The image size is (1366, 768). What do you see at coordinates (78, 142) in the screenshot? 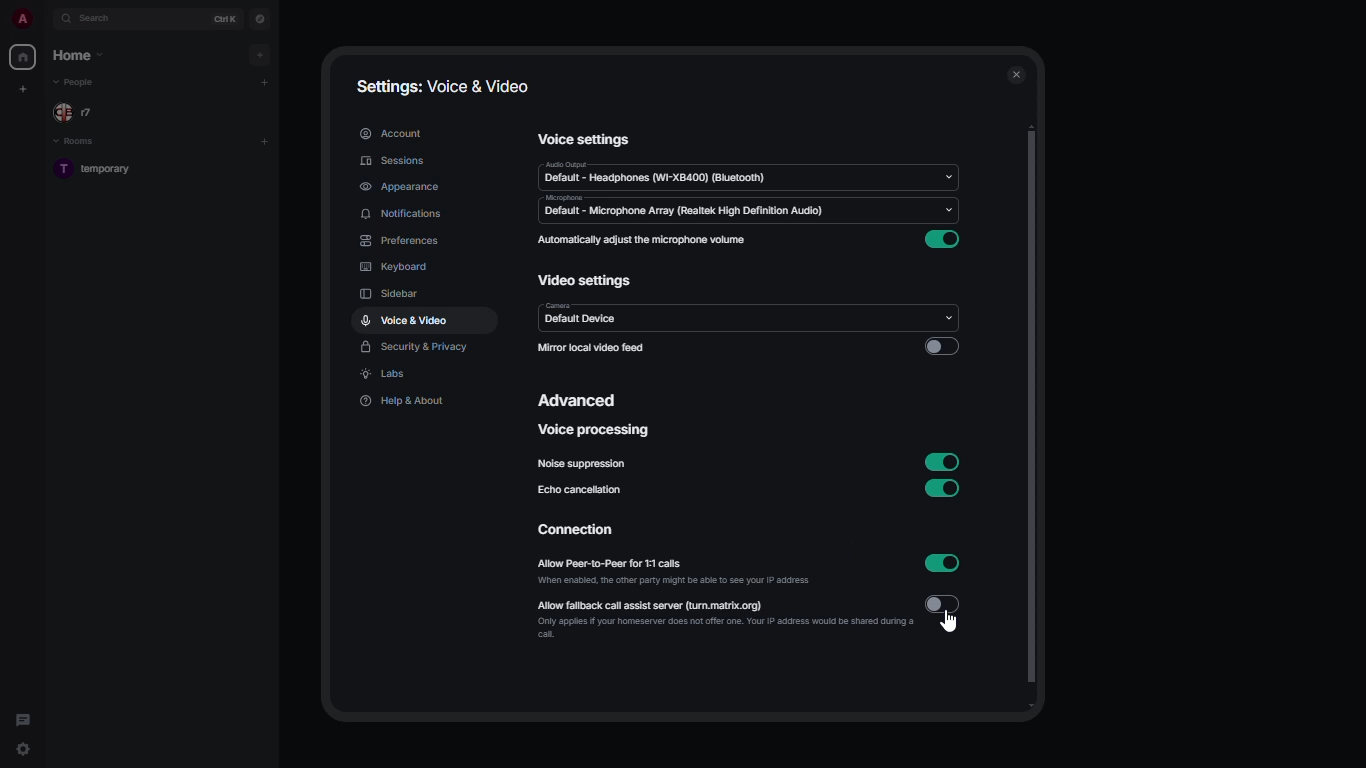
I see `rooms` at bounding box center [78, 142].